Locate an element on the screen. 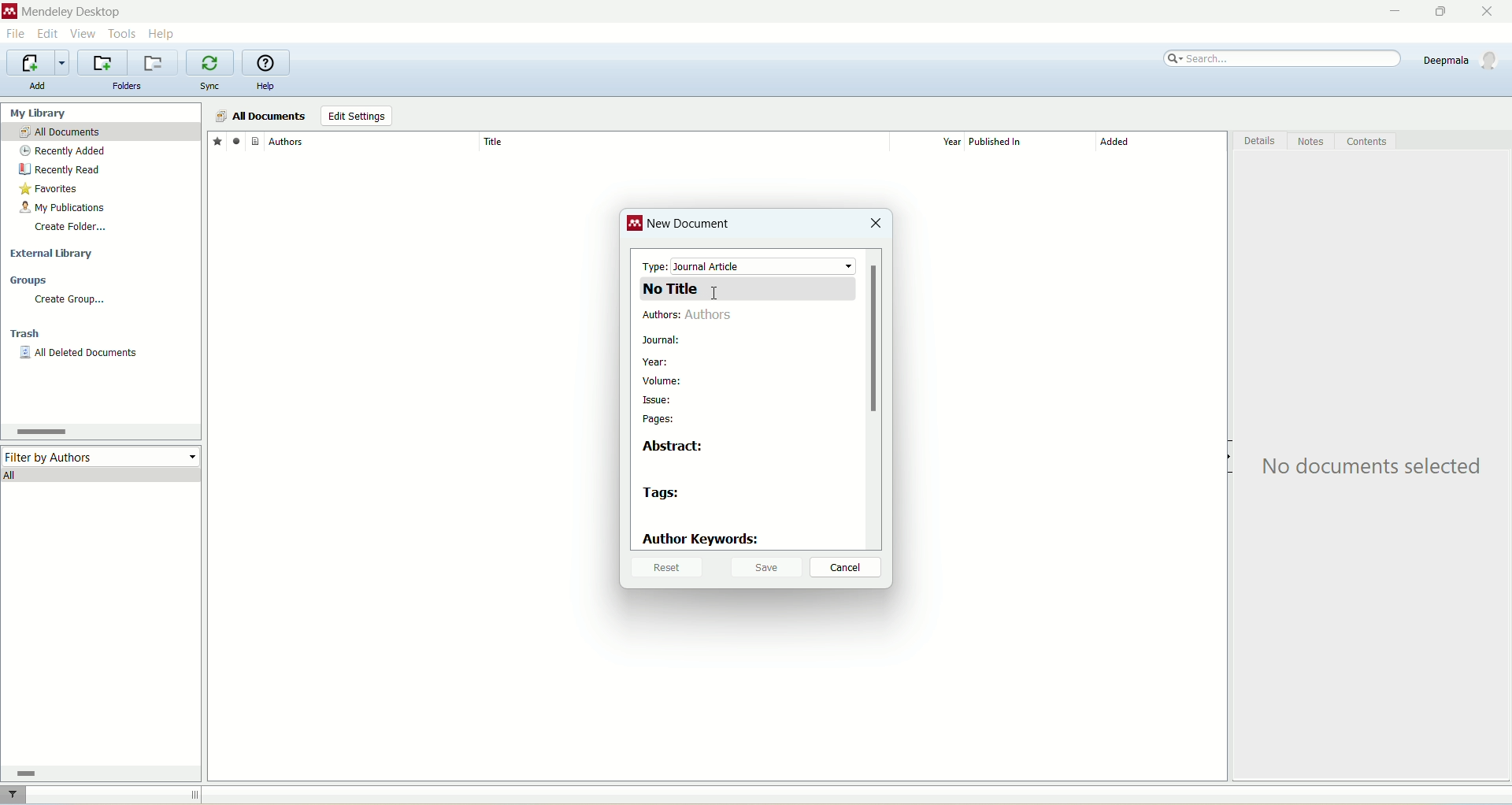 This screenshot has width=1512, height=805. volume is located at coordinates (667, 380).